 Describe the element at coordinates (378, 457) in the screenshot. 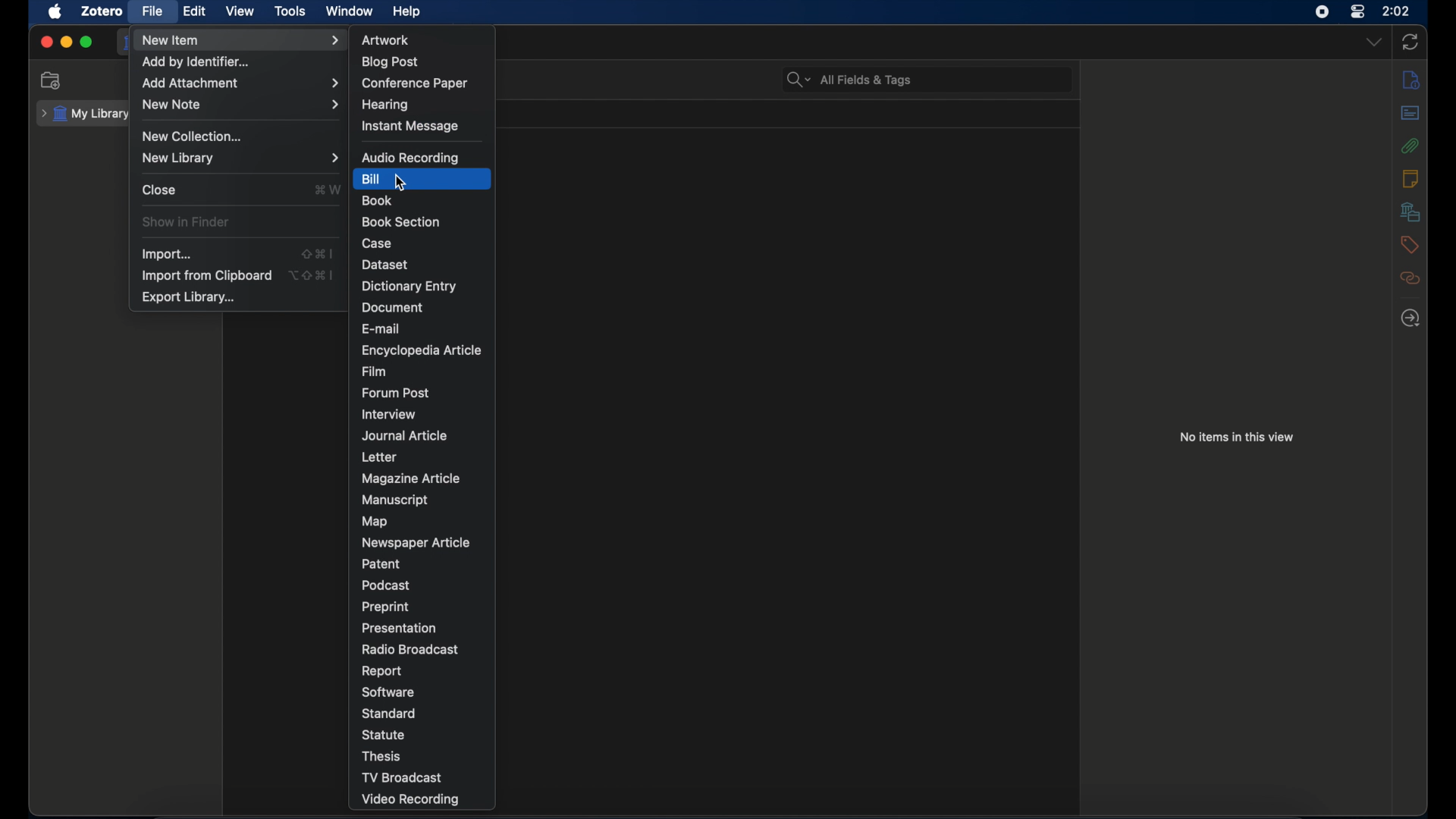

I see `letter` at that location.